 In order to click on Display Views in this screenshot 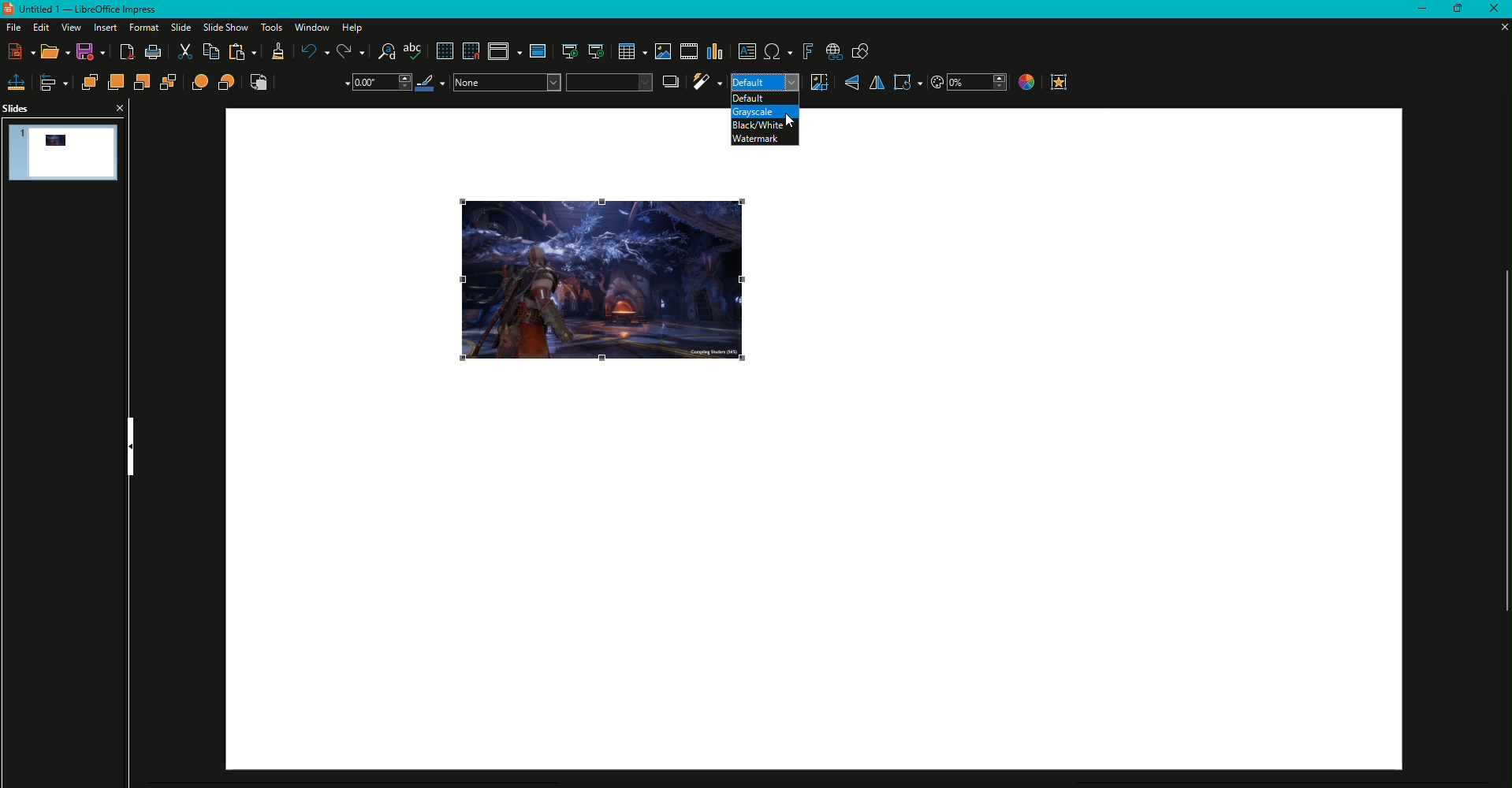, I will do `click(505, 54)`.